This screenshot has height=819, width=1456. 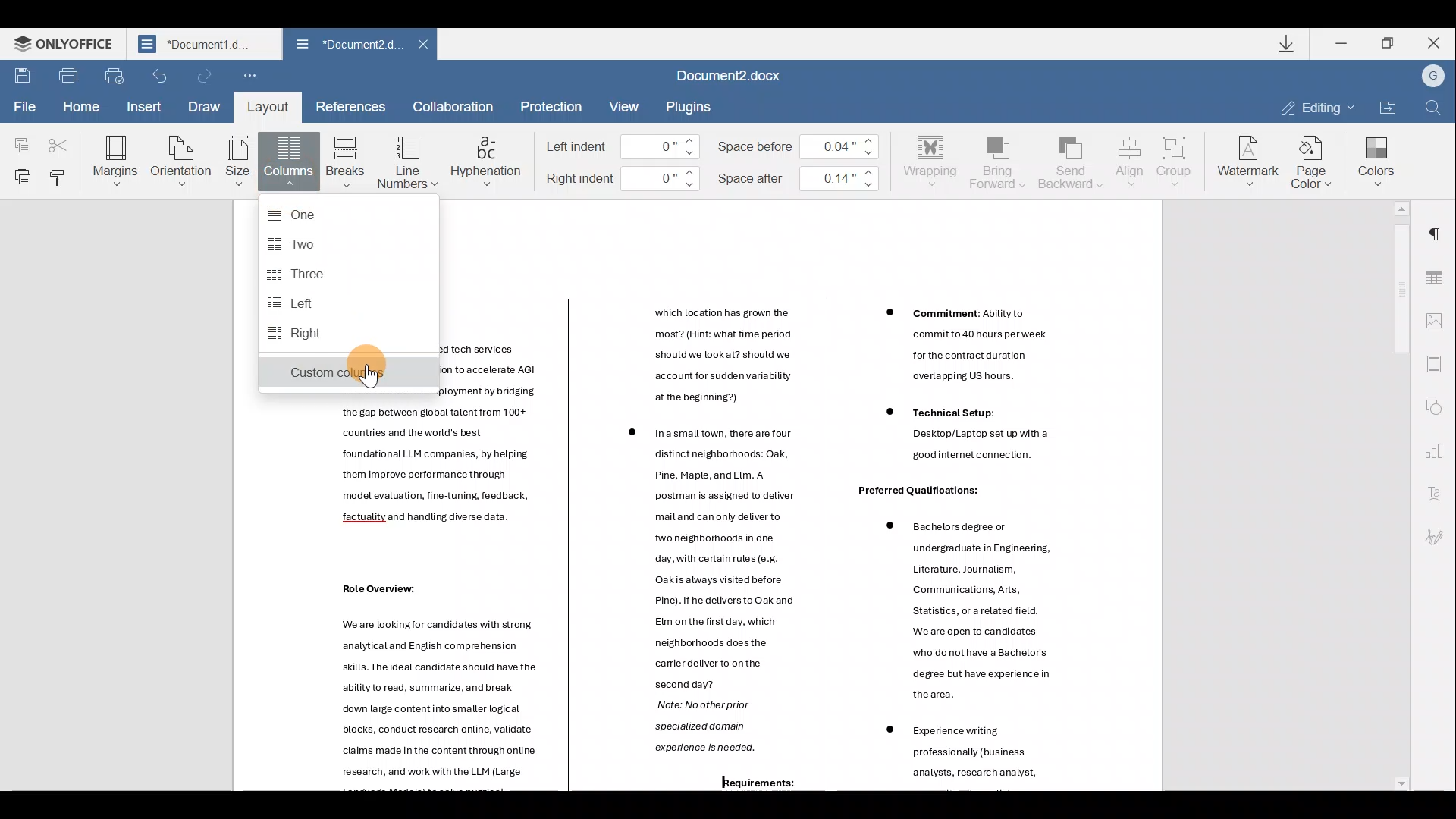 I want to click on Group, so click(x=1177, y=157).